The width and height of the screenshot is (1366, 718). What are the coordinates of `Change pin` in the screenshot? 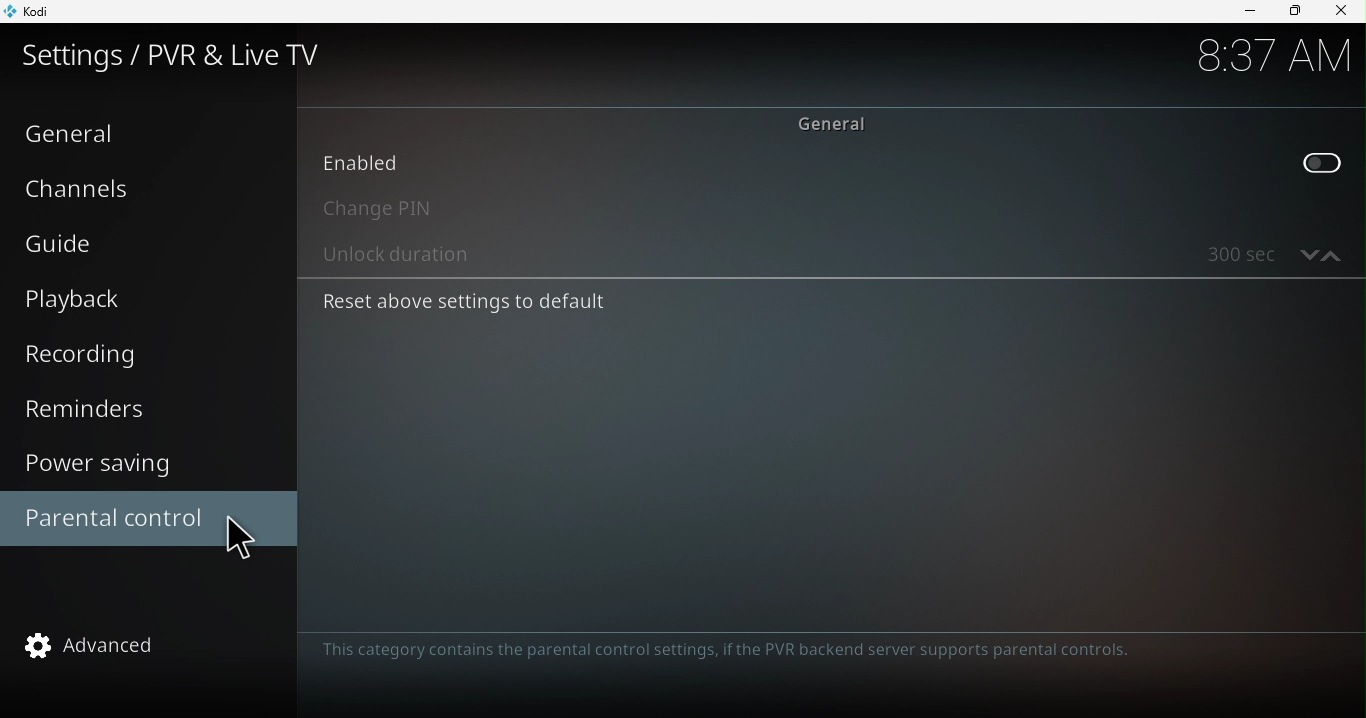 It's located at (828, 211).